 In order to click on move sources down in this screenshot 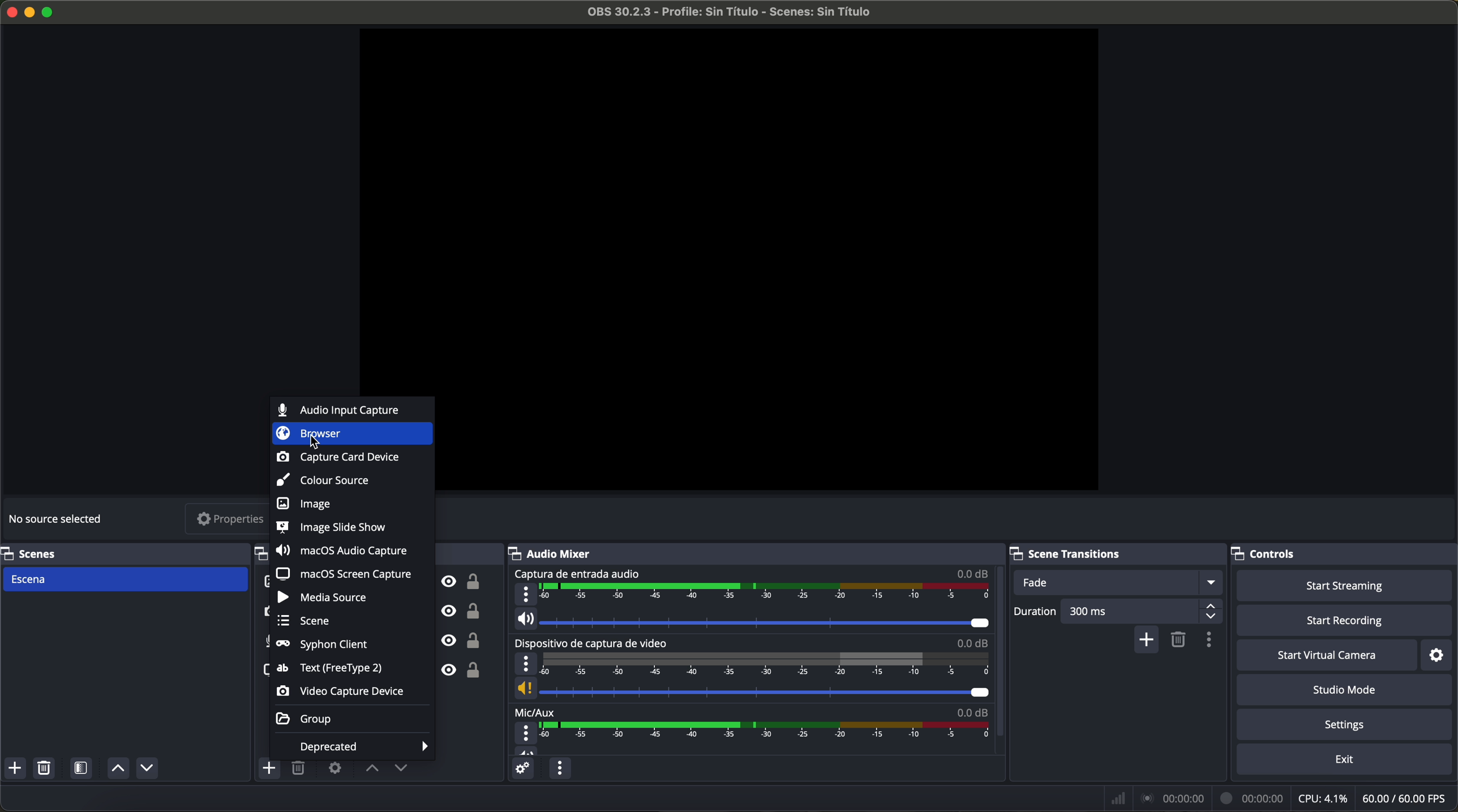, I will do `click(402, 770)`.